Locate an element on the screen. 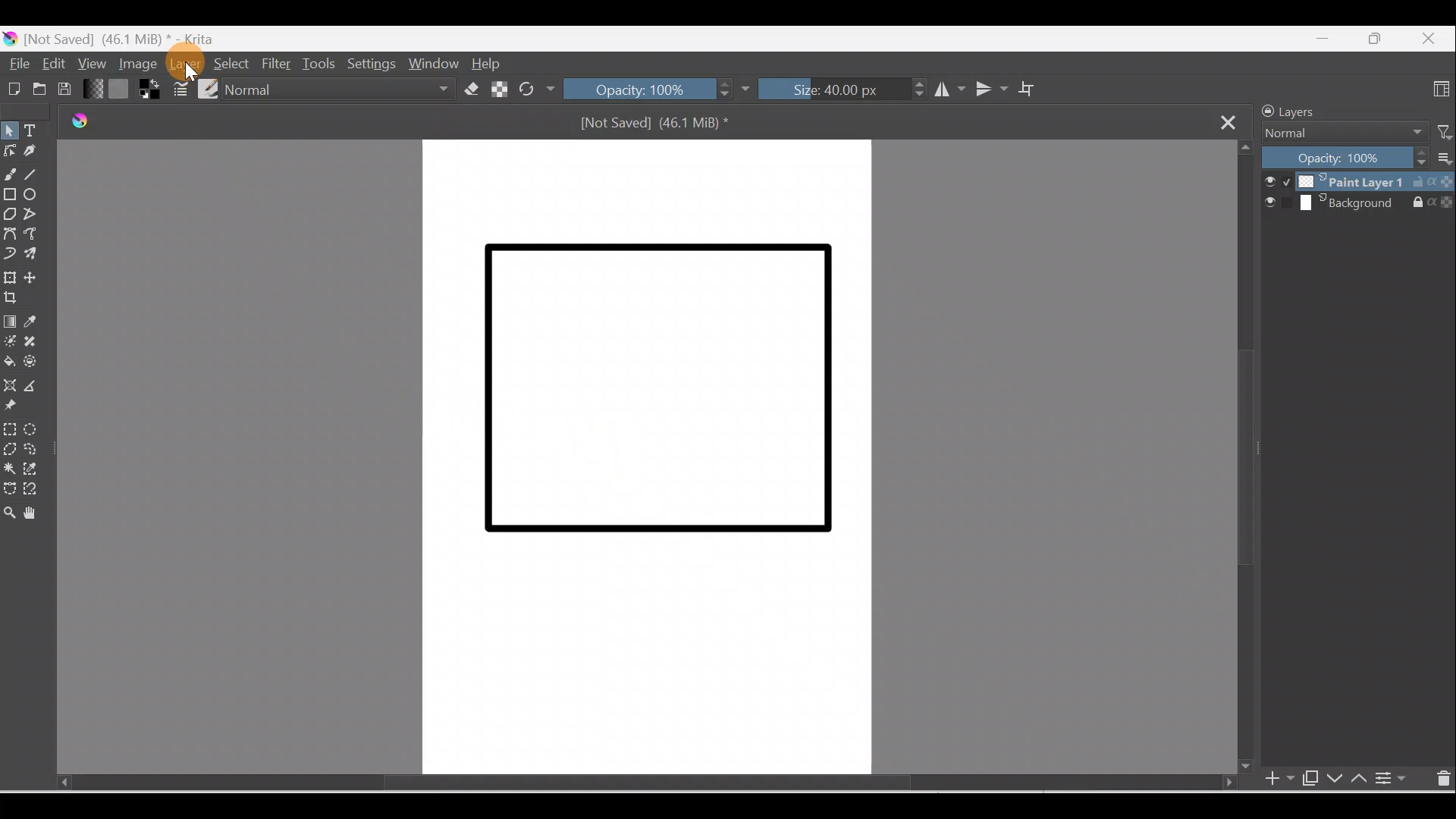  lock/unlock docker is located at coordinates (1265, 111).